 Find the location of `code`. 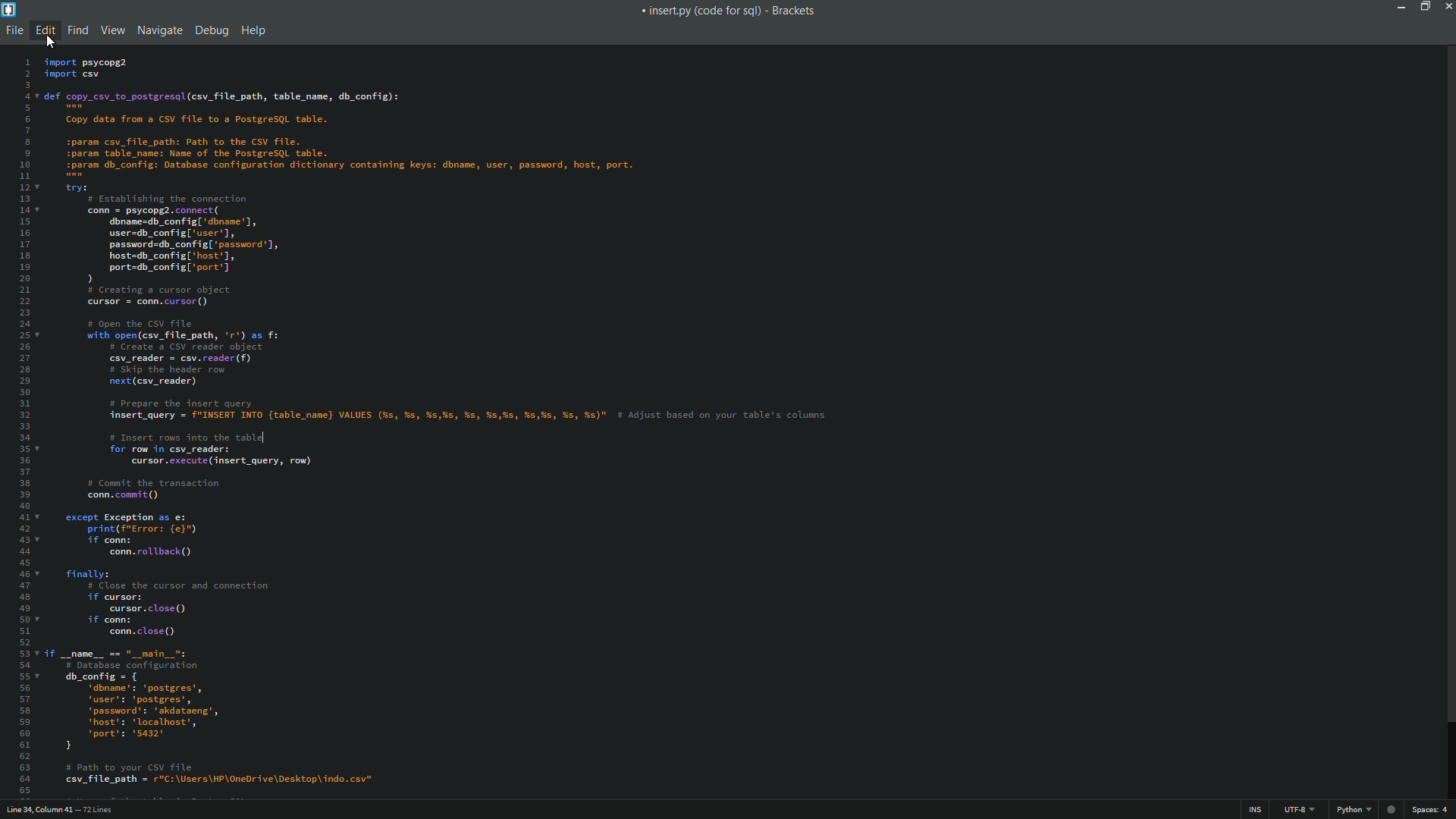

code is located at coordinates (450, 426).